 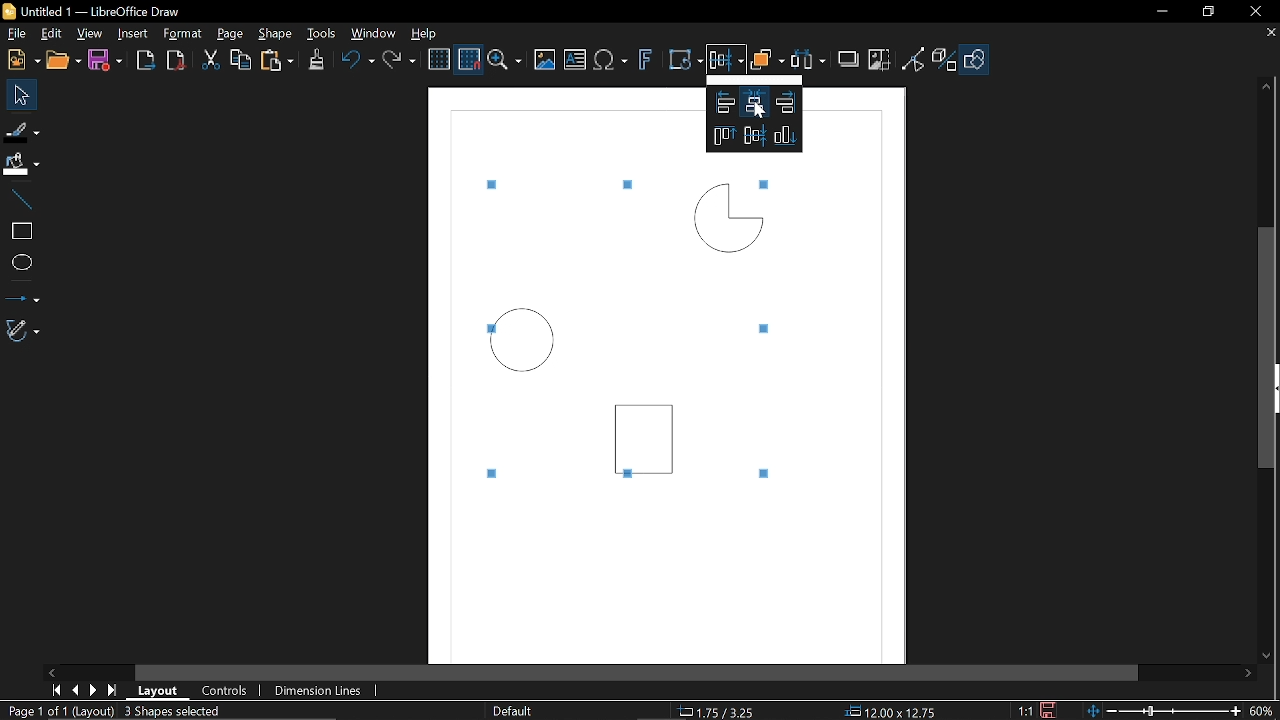 I want to click on Horizontal scrollbar, so click(x=638, y=670).